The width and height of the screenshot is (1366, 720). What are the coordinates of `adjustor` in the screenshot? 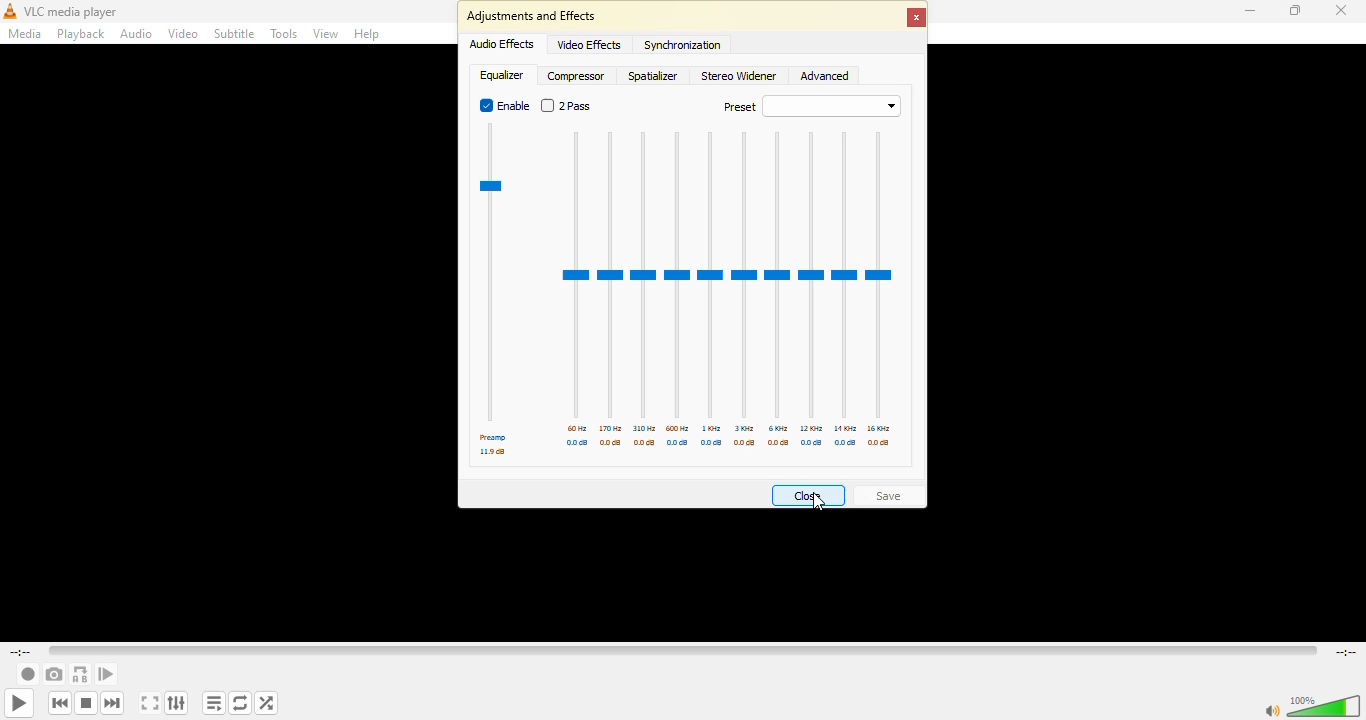 It's located at (576, 276).